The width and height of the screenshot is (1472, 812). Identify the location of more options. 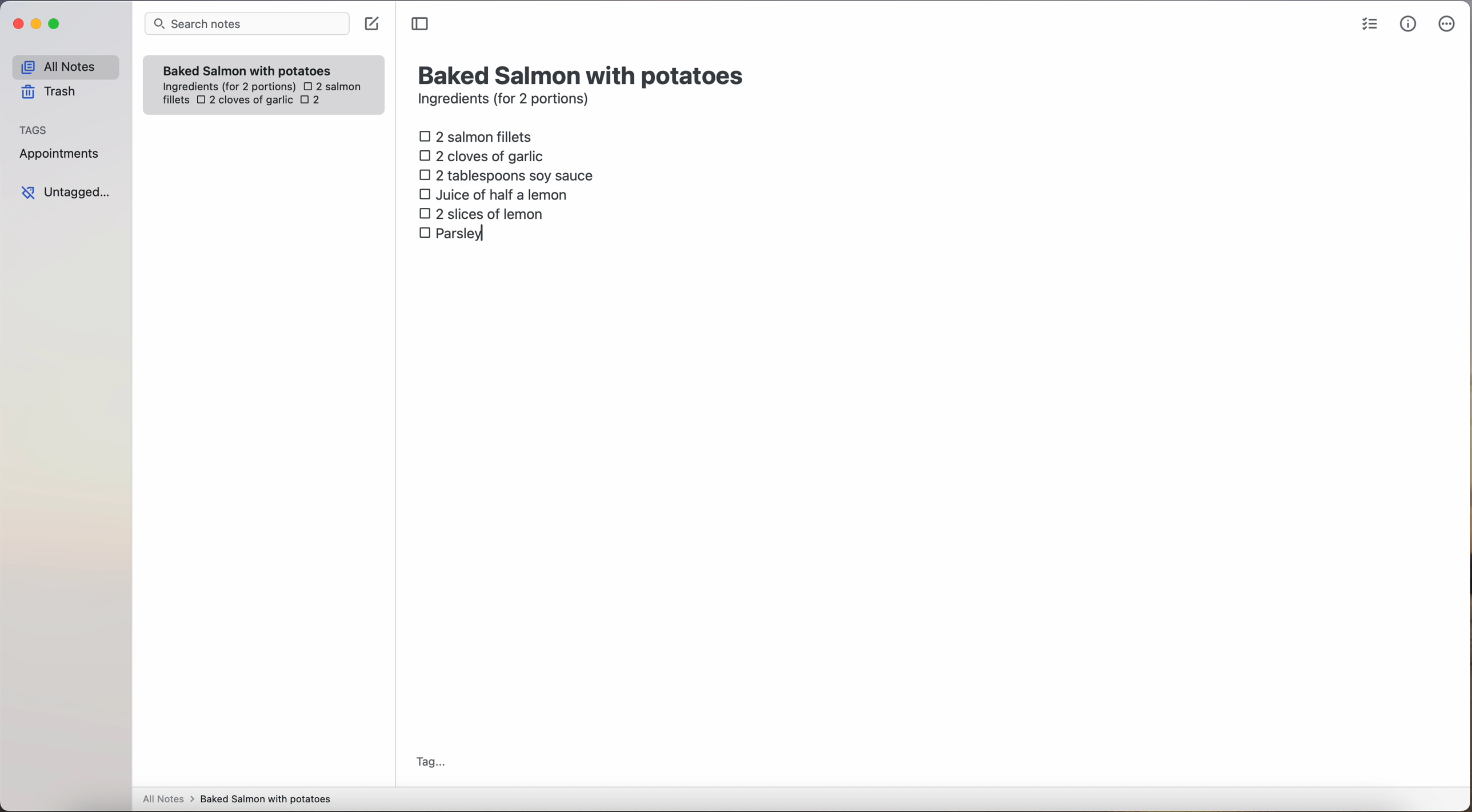
(1449, 25).